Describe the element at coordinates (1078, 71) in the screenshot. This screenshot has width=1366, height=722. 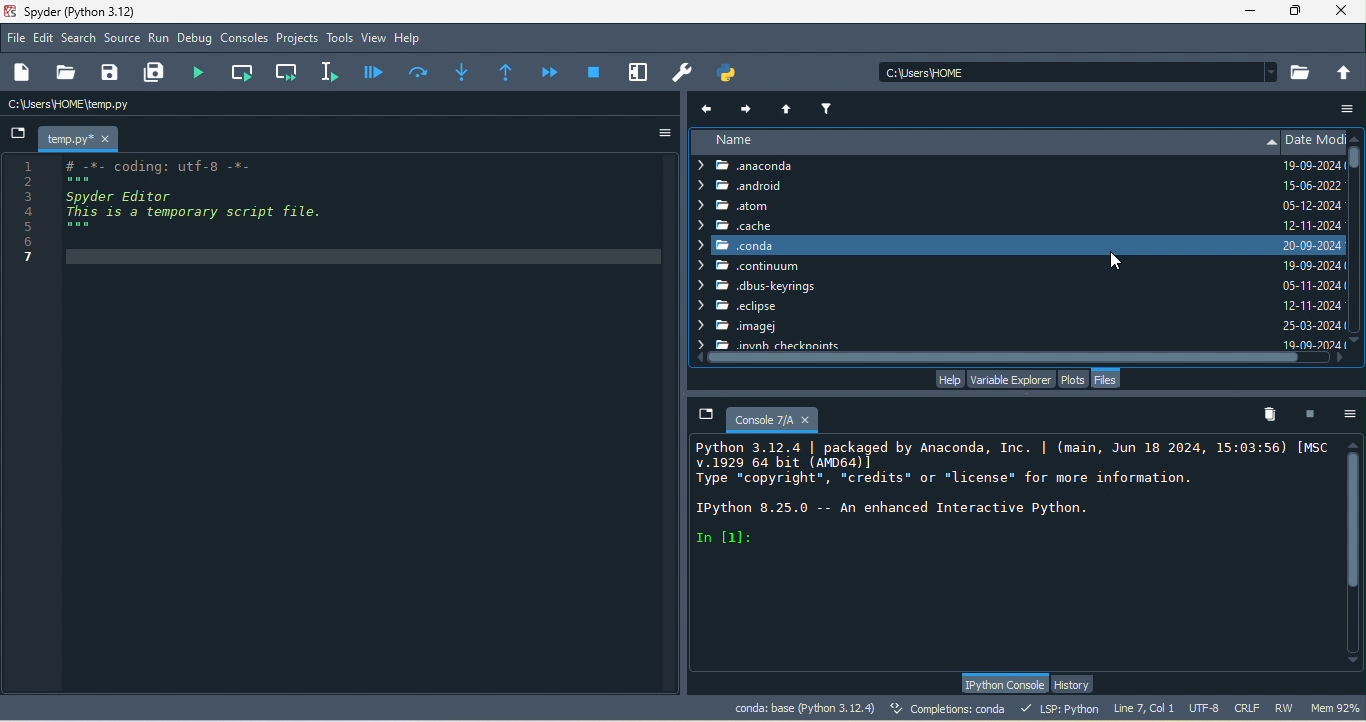
I see `c\users\home` at that location.